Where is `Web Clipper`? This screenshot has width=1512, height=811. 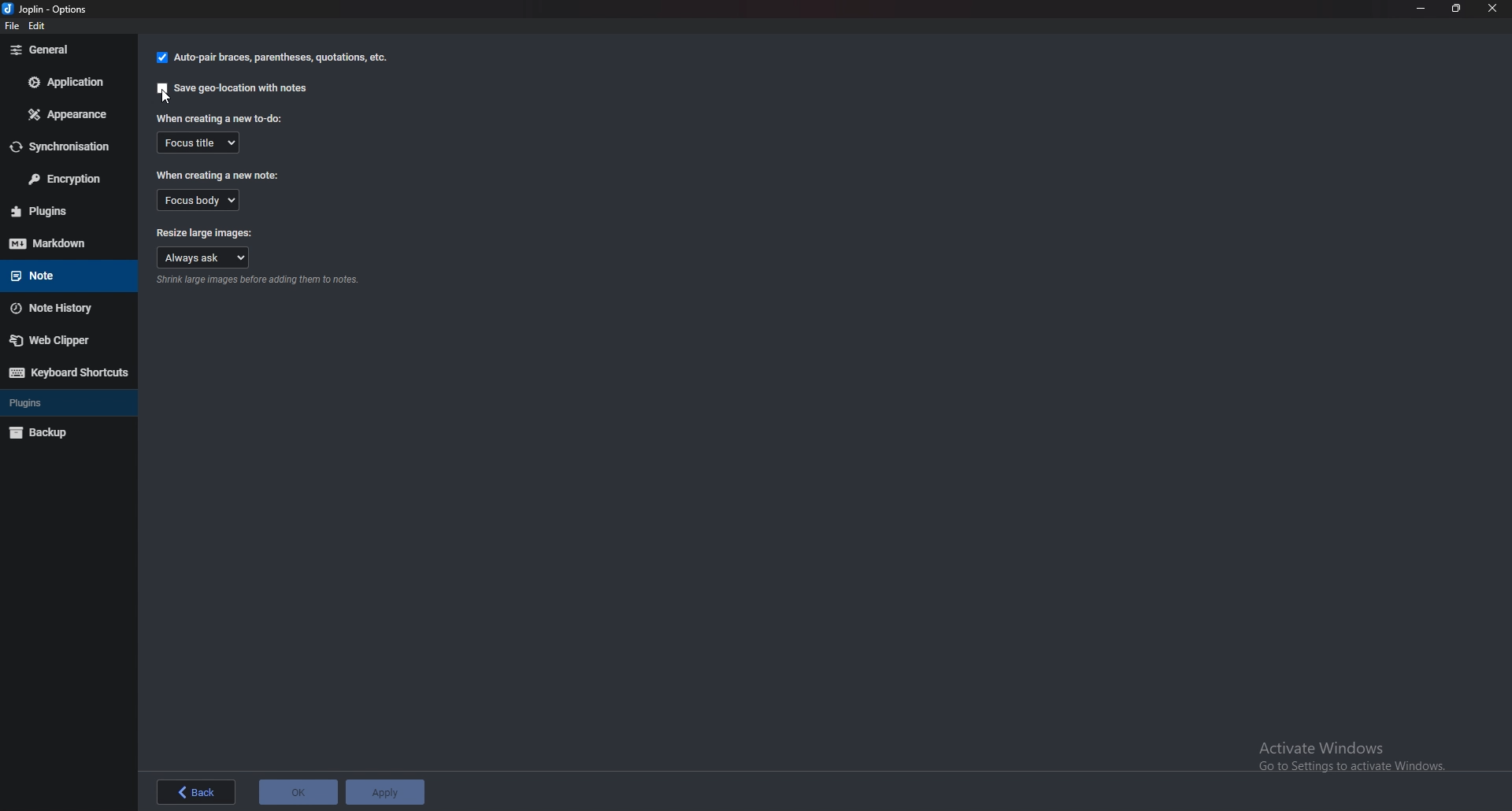
Web Clipper is located at coordinates (67, 339).